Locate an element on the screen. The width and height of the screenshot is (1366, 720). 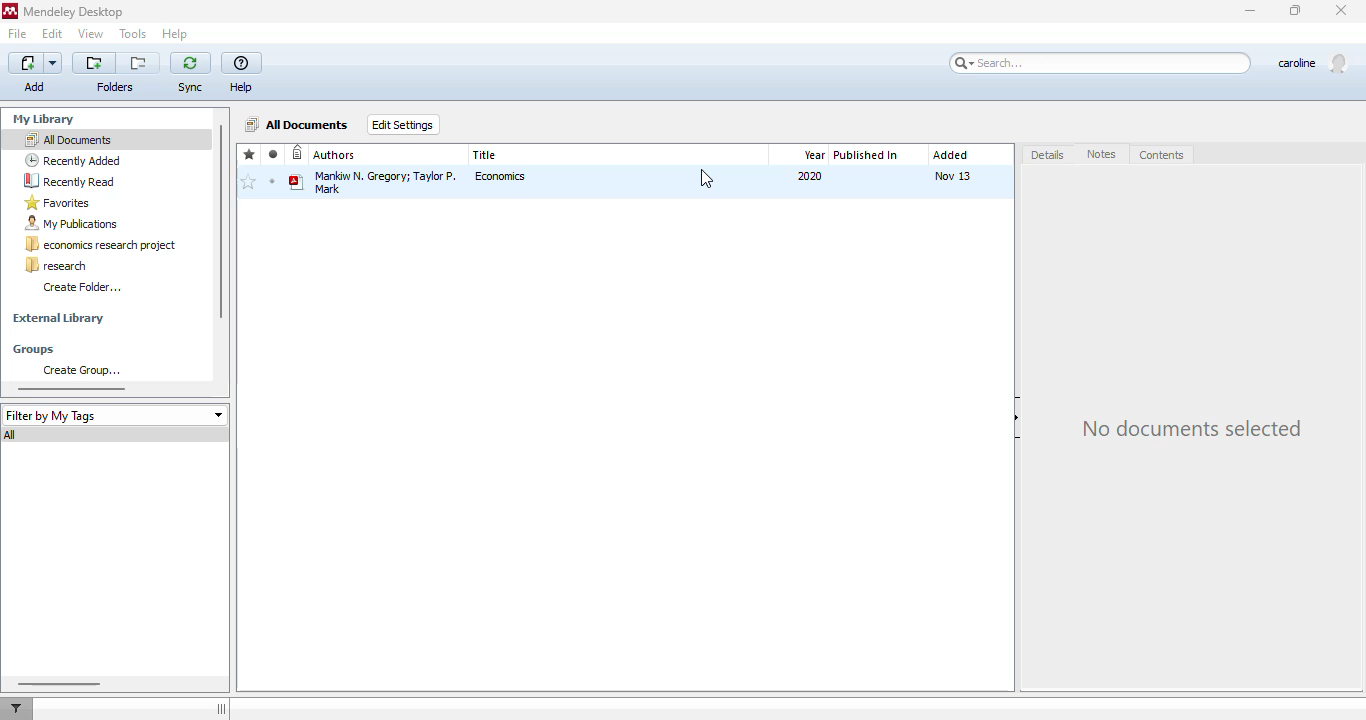
logo is located at coordinates (10, 11).